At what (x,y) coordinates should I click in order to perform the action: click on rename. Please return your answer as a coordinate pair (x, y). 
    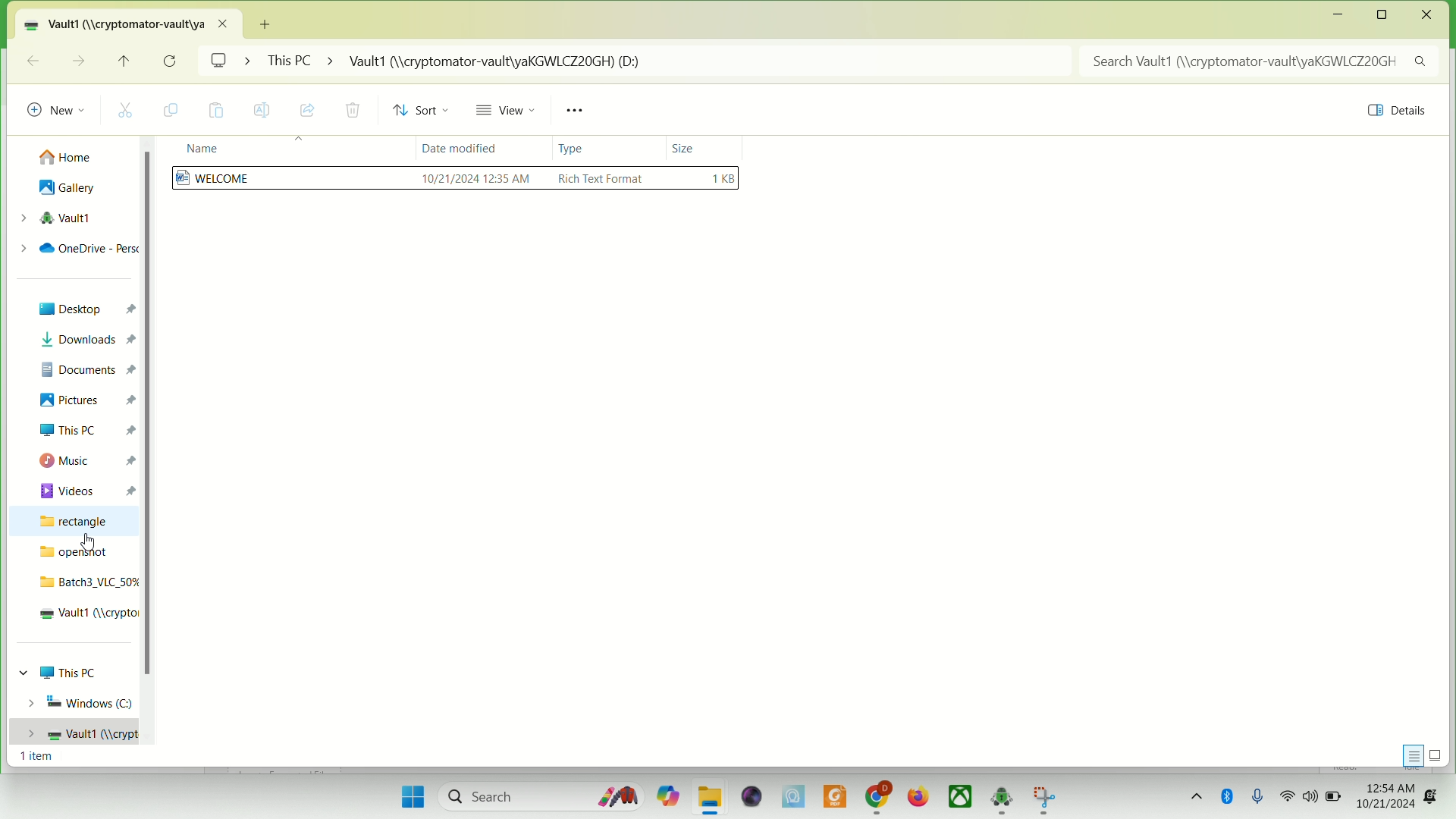
    Looking at the image, I should click on (263, 110).